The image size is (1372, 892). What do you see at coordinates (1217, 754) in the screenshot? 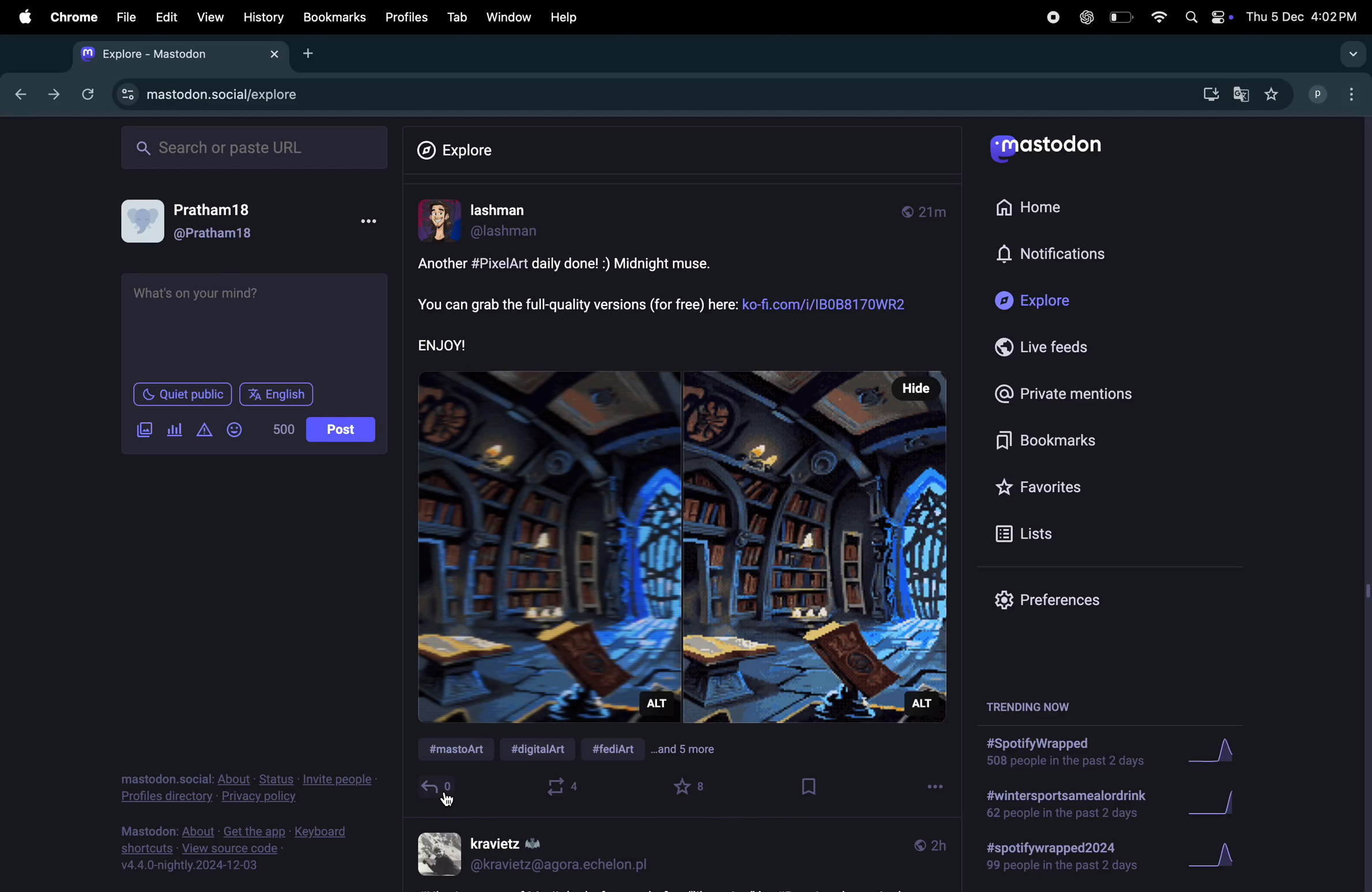
I see `graph` at bounding box center [1217, 754].